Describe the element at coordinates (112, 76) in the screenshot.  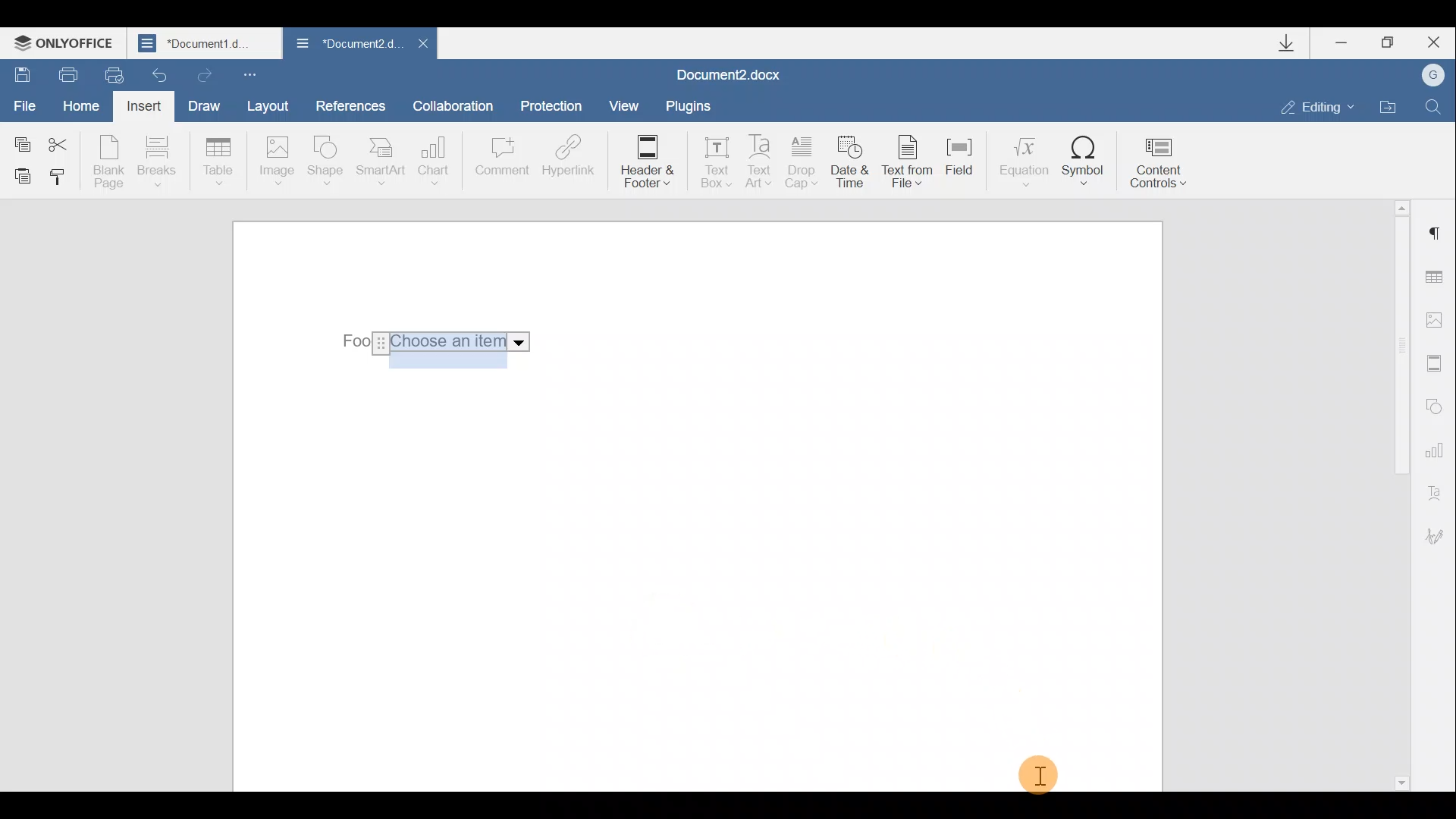
I see `Quick print` at that location.